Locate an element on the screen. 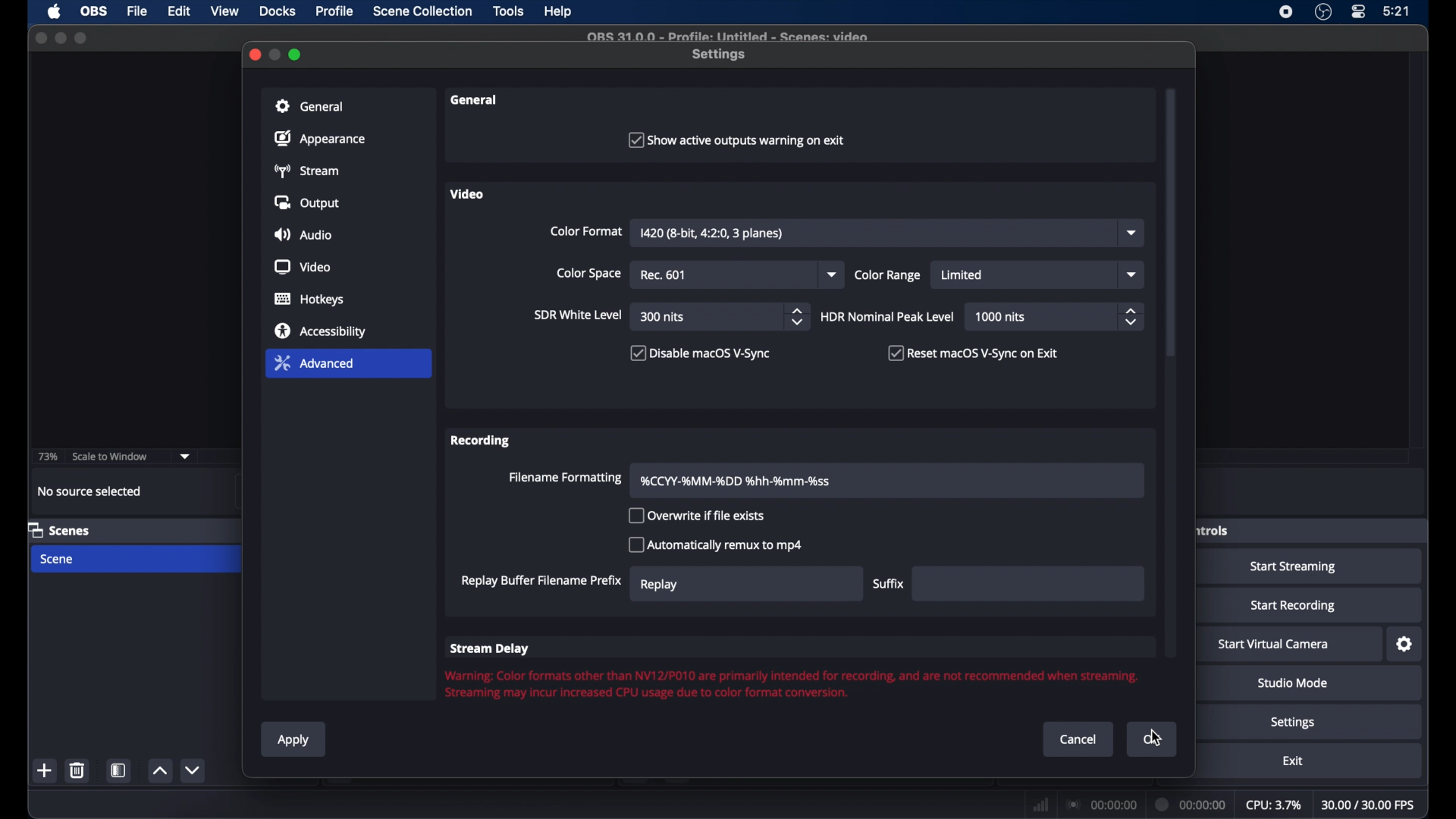 Image resolution: width=1456 pixels, height=819 pixels. cpu is located at coordinates (1272, 805).